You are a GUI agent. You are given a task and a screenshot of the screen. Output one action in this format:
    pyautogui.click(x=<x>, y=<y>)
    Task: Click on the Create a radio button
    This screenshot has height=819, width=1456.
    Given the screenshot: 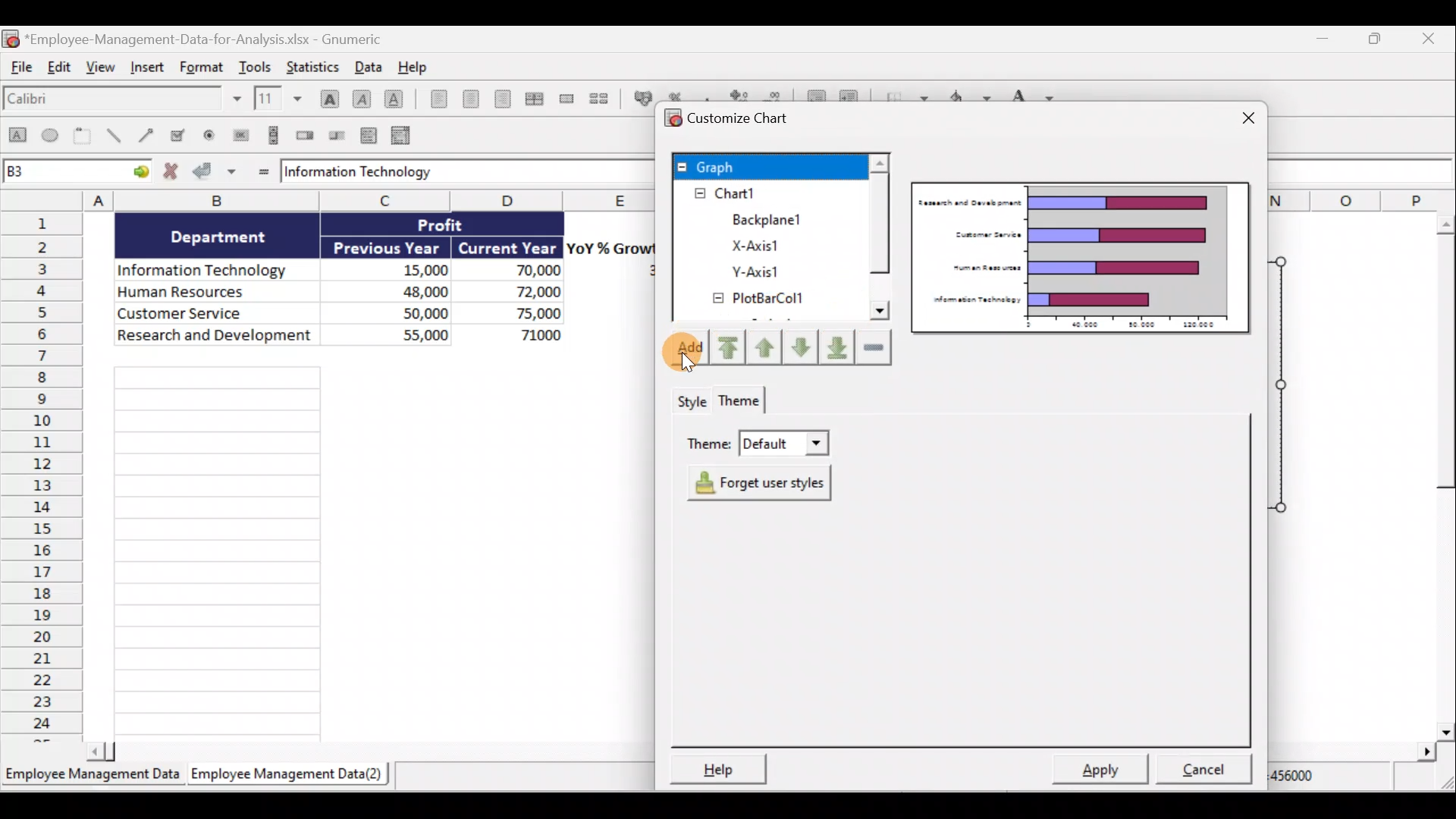 What is the action you would take?
    pyautogui.click(x=206, y=136)
    